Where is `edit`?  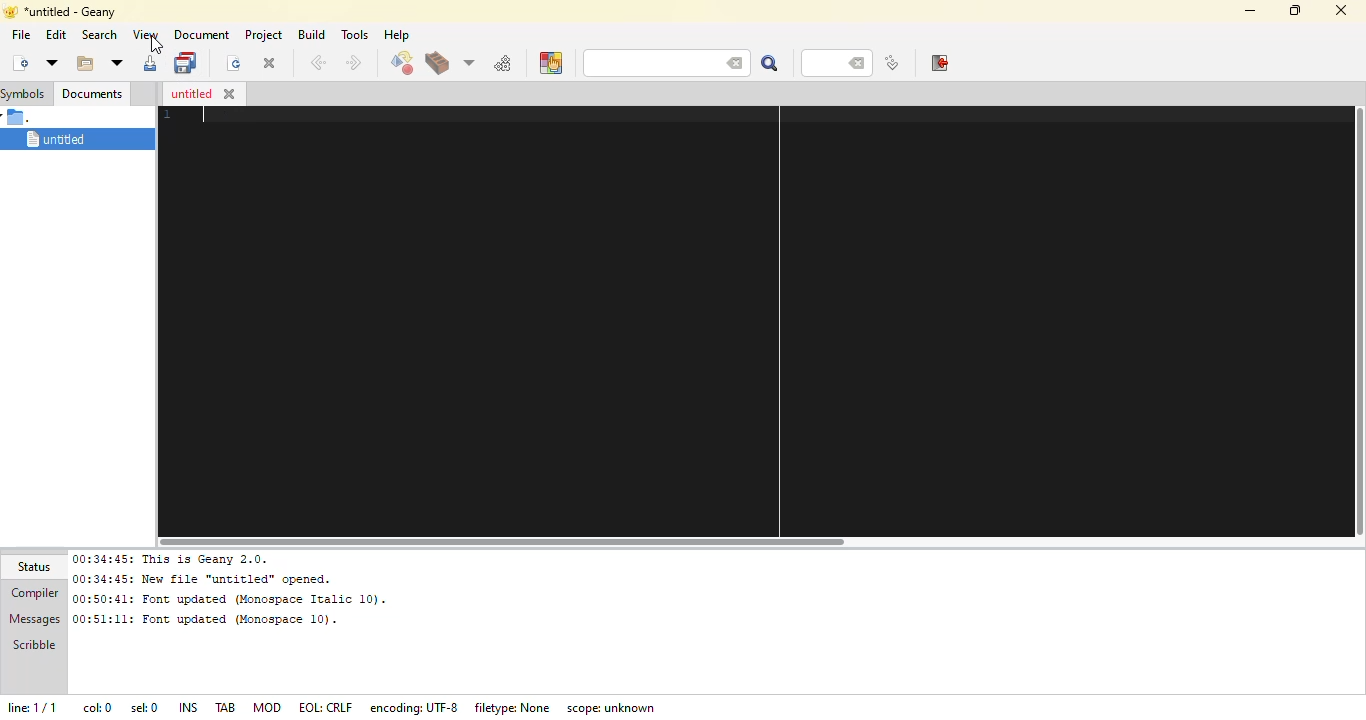 edit is located at coordinates (56, 35).